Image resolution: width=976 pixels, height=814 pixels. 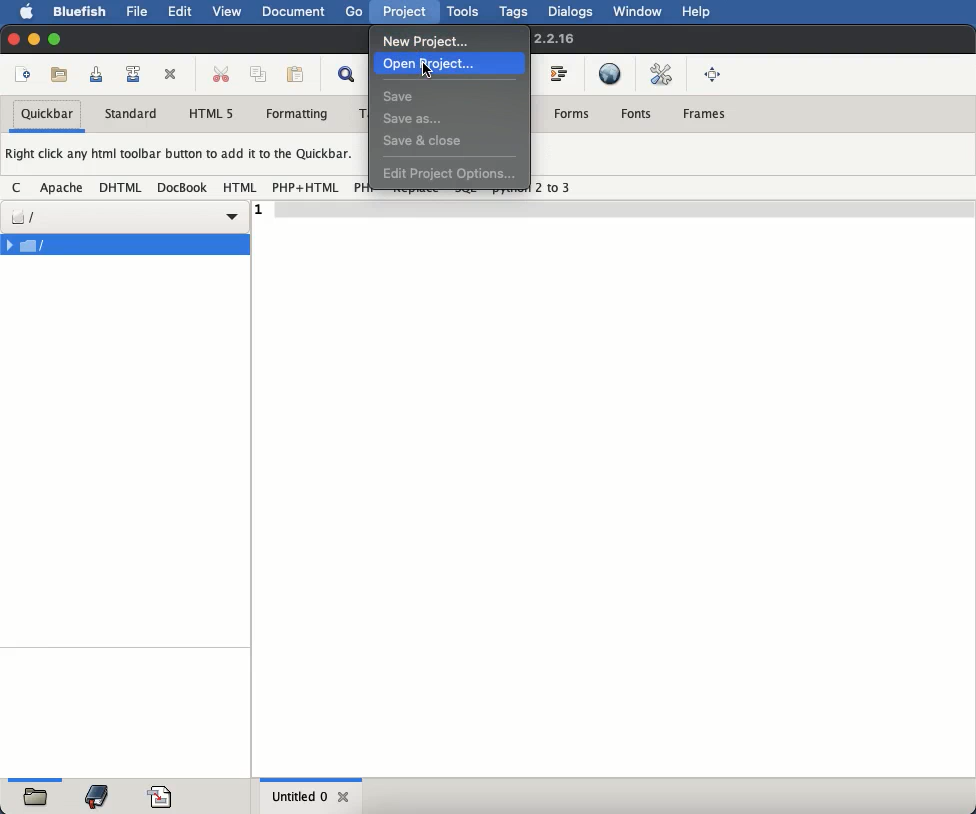 I want to click on save, so click(x=400, y=95).